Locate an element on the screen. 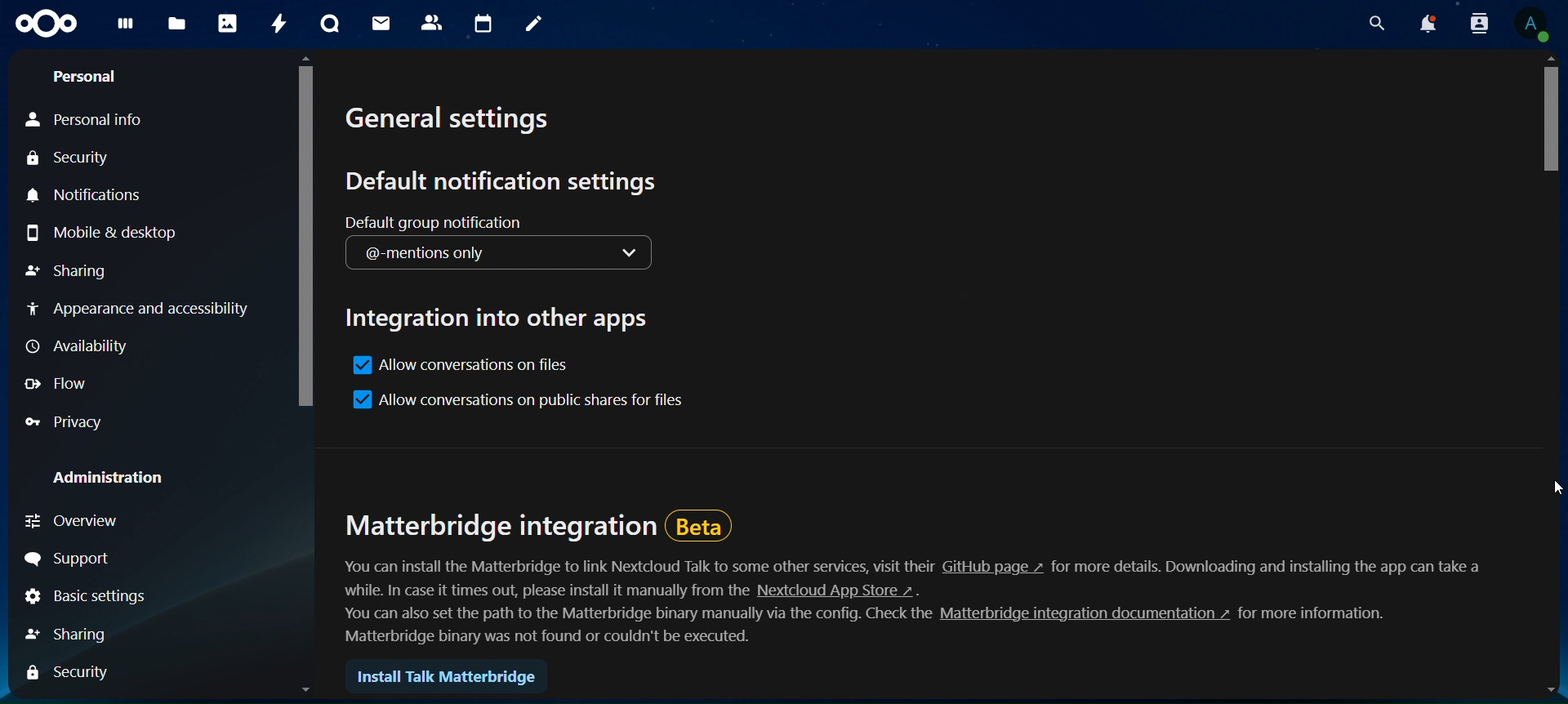  talk is located at coordinates (327, 25).